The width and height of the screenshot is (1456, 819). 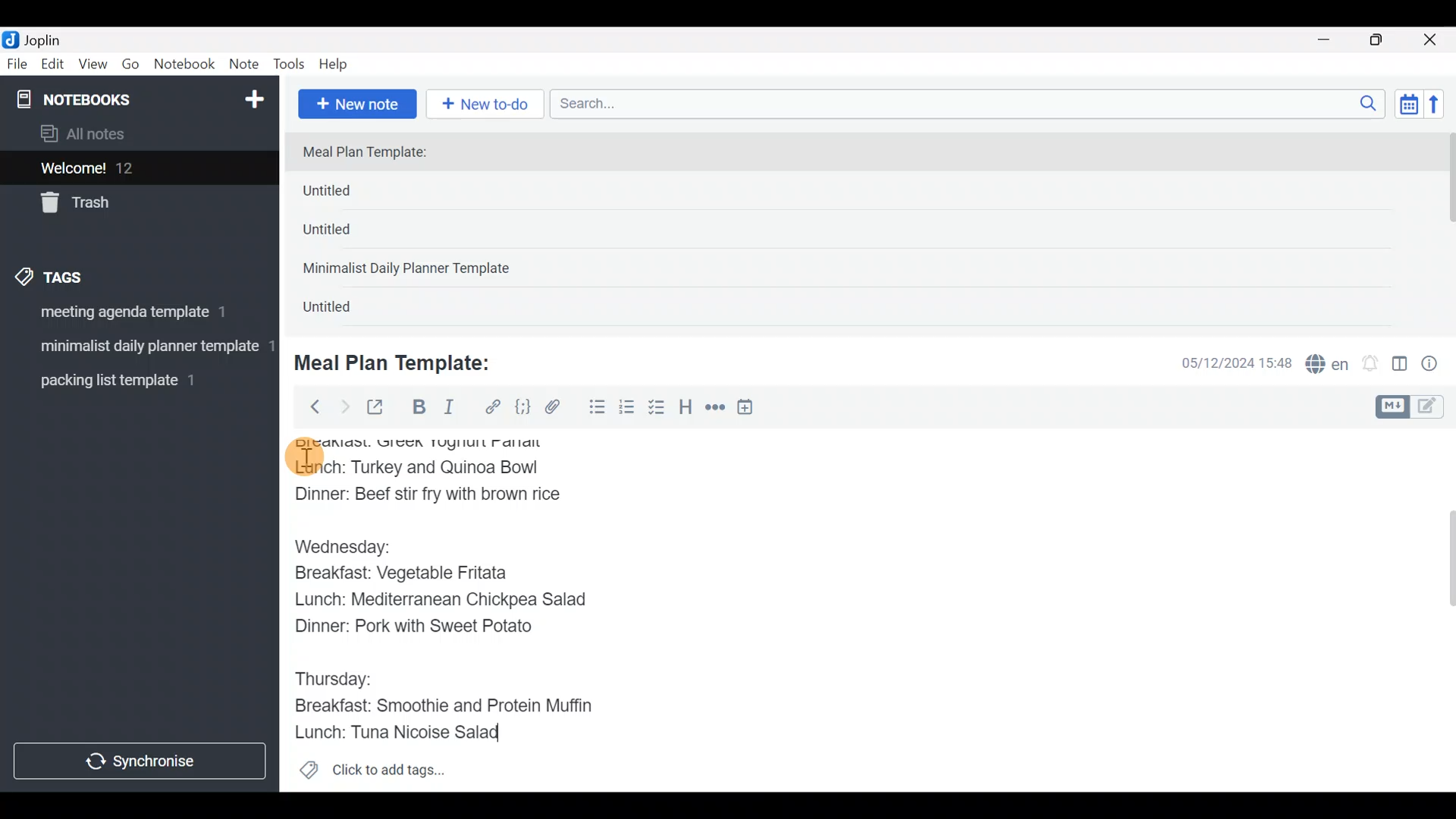 What do you see at coordinates (402, 361) in the screenshot?
I see `Meal Plan Template:` at bounding box center [402, 361].